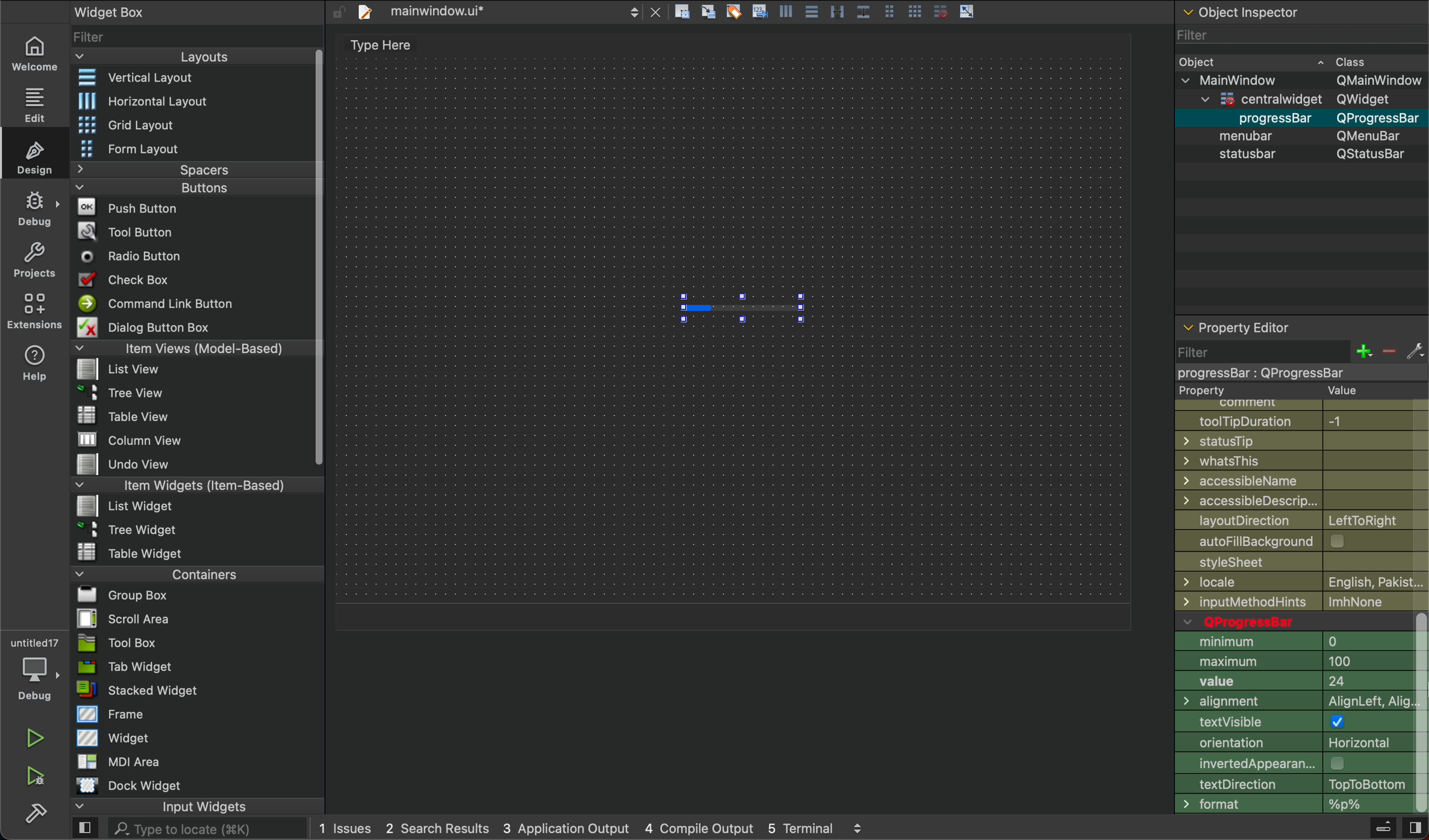 The width and height of the screenshot is (1429, 840). I want to click on Widget, so click(116, 737).